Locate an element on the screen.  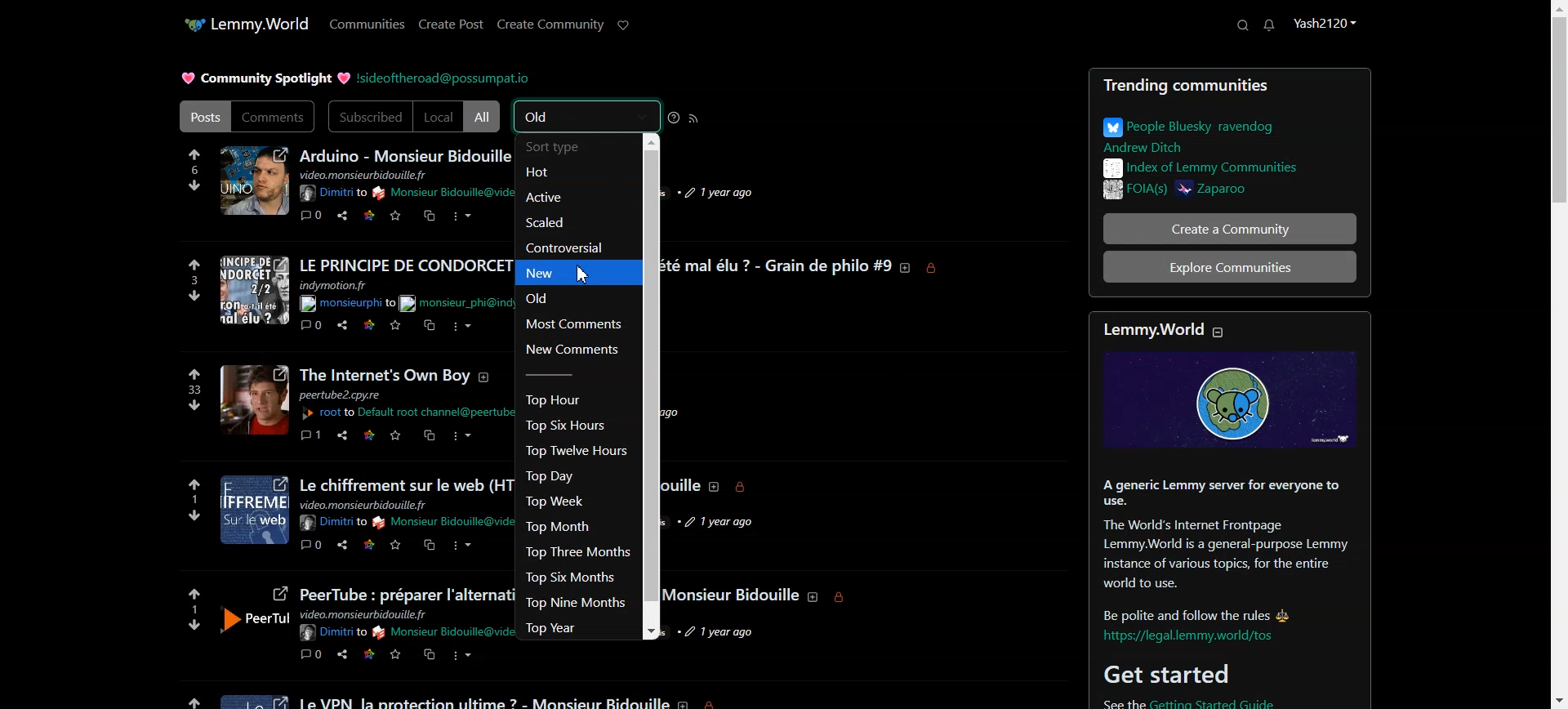
Communities is located at coordinates (367, 24).